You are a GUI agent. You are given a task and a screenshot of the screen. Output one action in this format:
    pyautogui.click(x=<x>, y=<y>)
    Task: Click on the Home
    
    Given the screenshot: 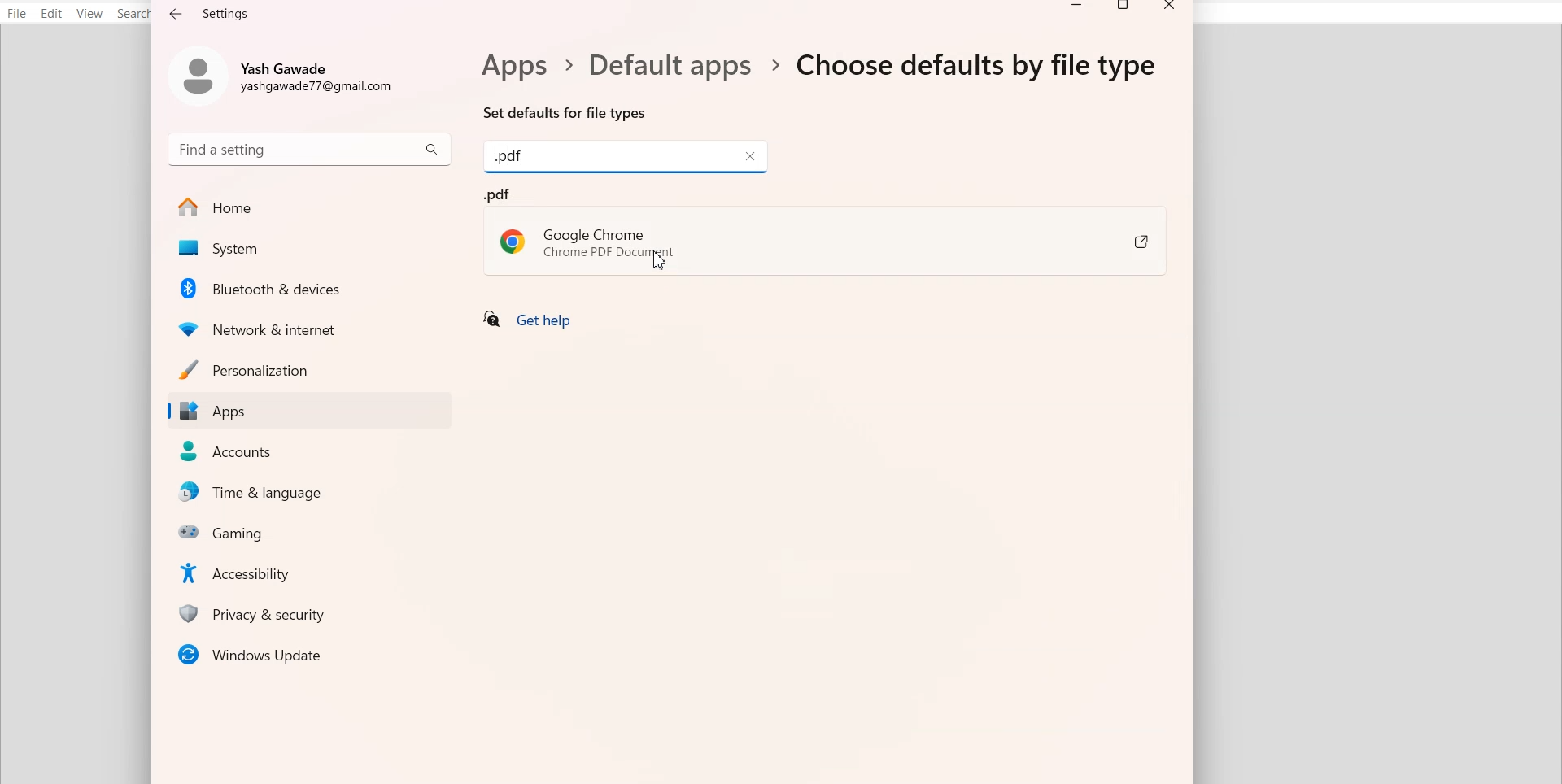 What is the action you would take?
    pyautogui.click(x=309, y=207)
    